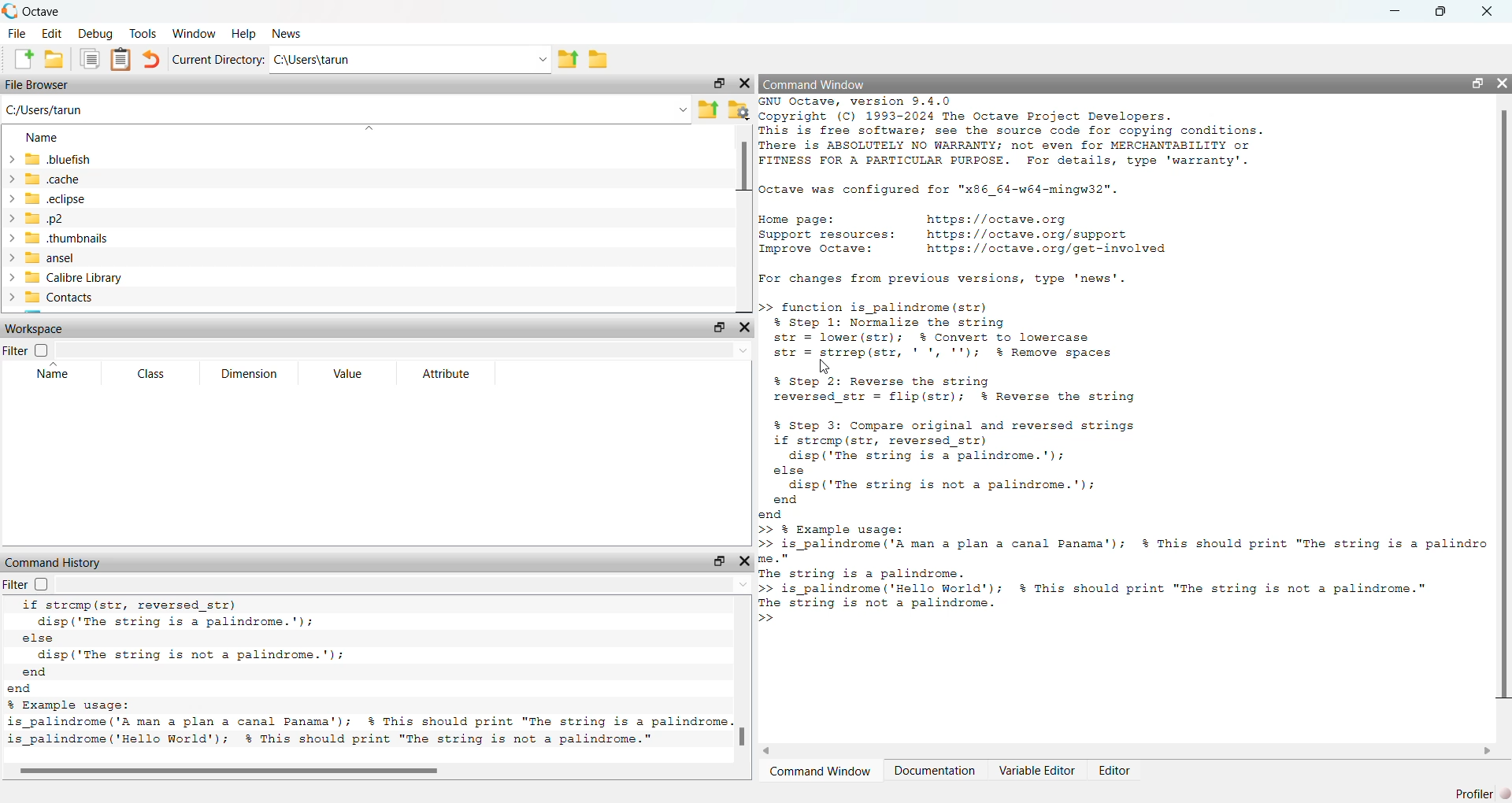 This screenshot has width=1512, height=803. I want to click on undo, so click(154, 60).